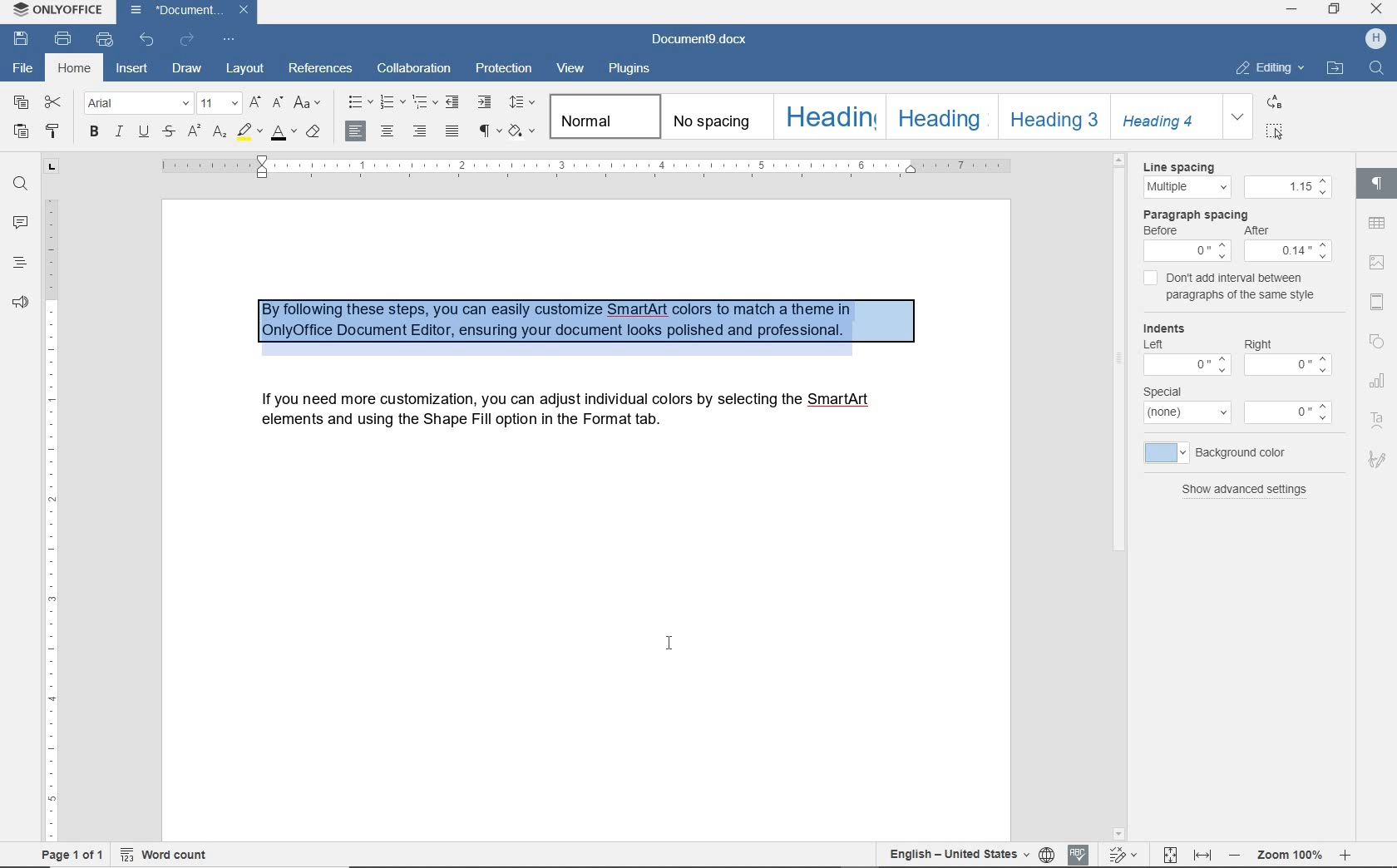 Image resolution: width=1397 pixels, height=868 pixels. Describe the element at coordinates (1283, 412) in the screenshot. I see `0"` at that location.